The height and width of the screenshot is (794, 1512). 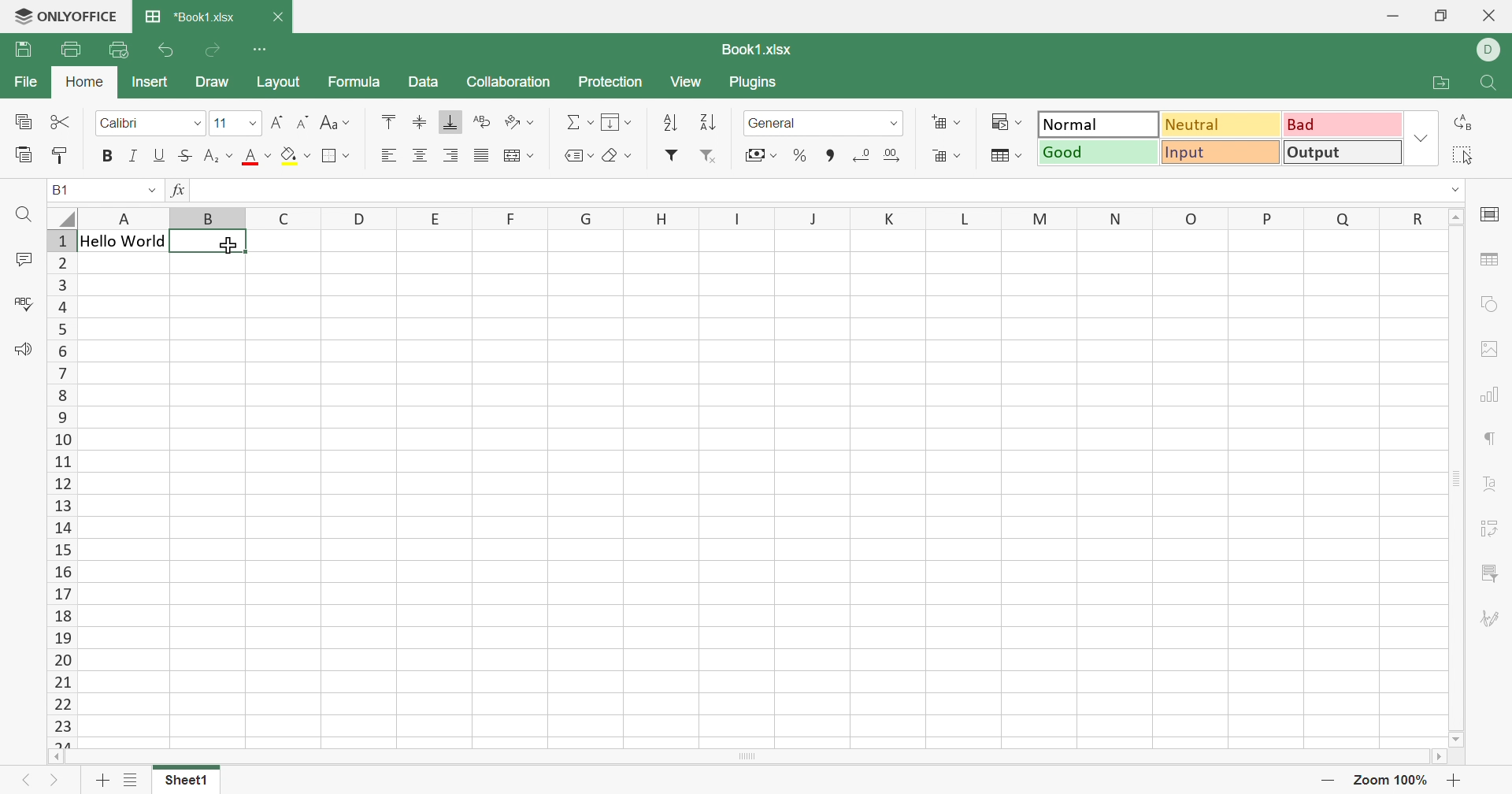 I want to click on  View, so click(x=683, y=82).